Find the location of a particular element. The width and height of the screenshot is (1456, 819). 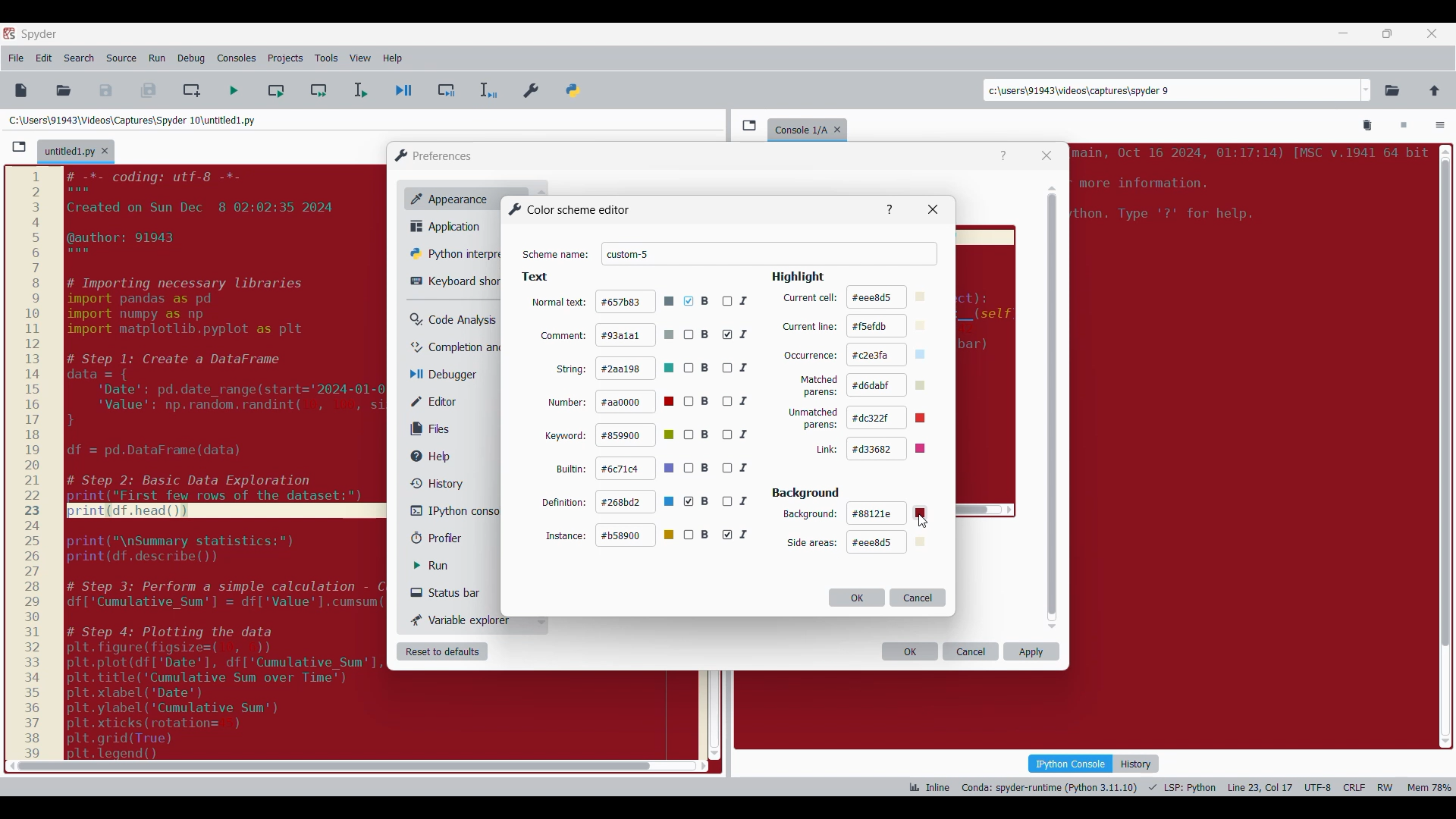

Show in smaller tab is located at coordinates (1387, 33).